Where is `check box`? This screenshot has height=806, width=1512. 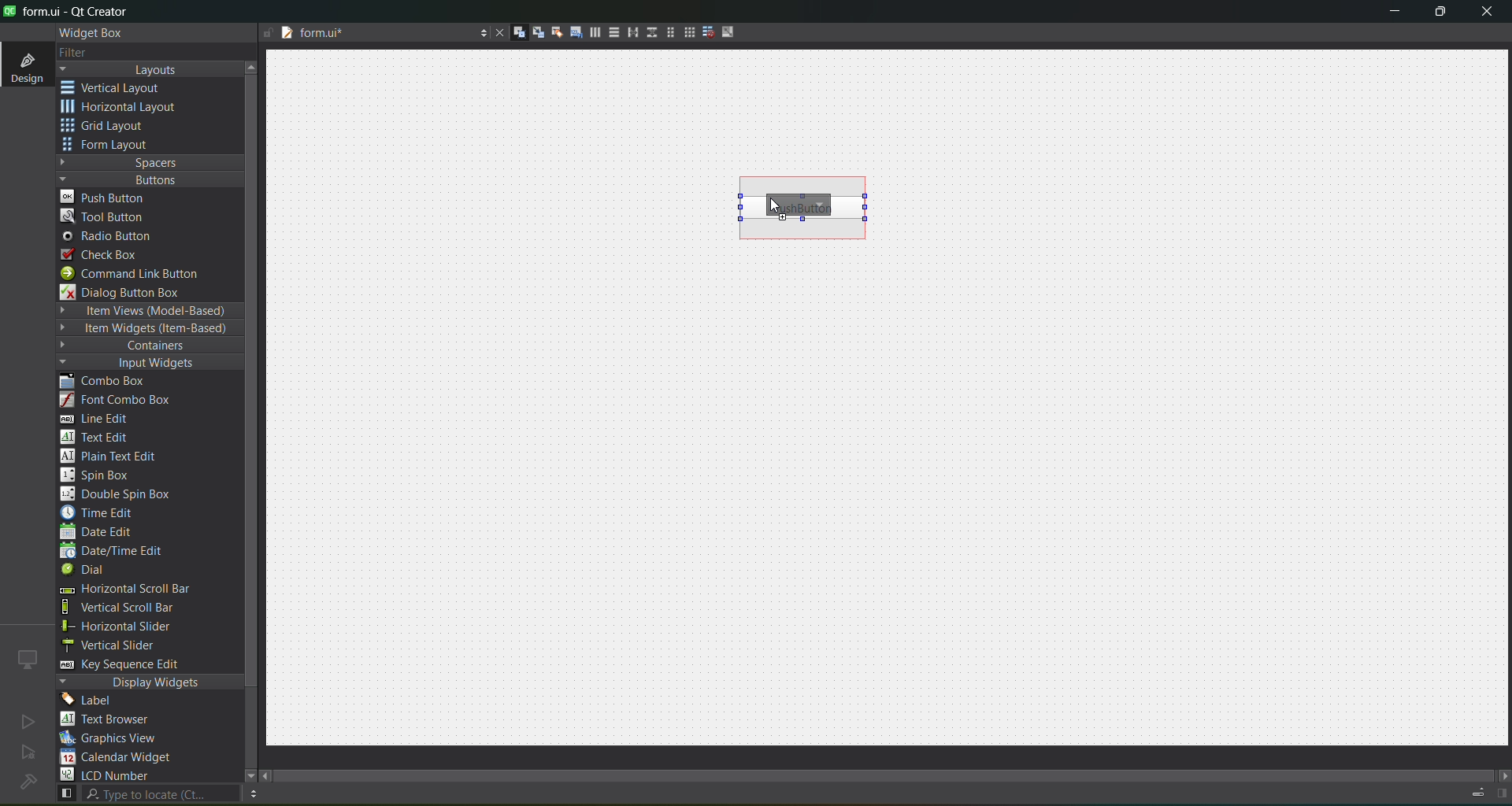
check box is located at coordinates (107, 255).